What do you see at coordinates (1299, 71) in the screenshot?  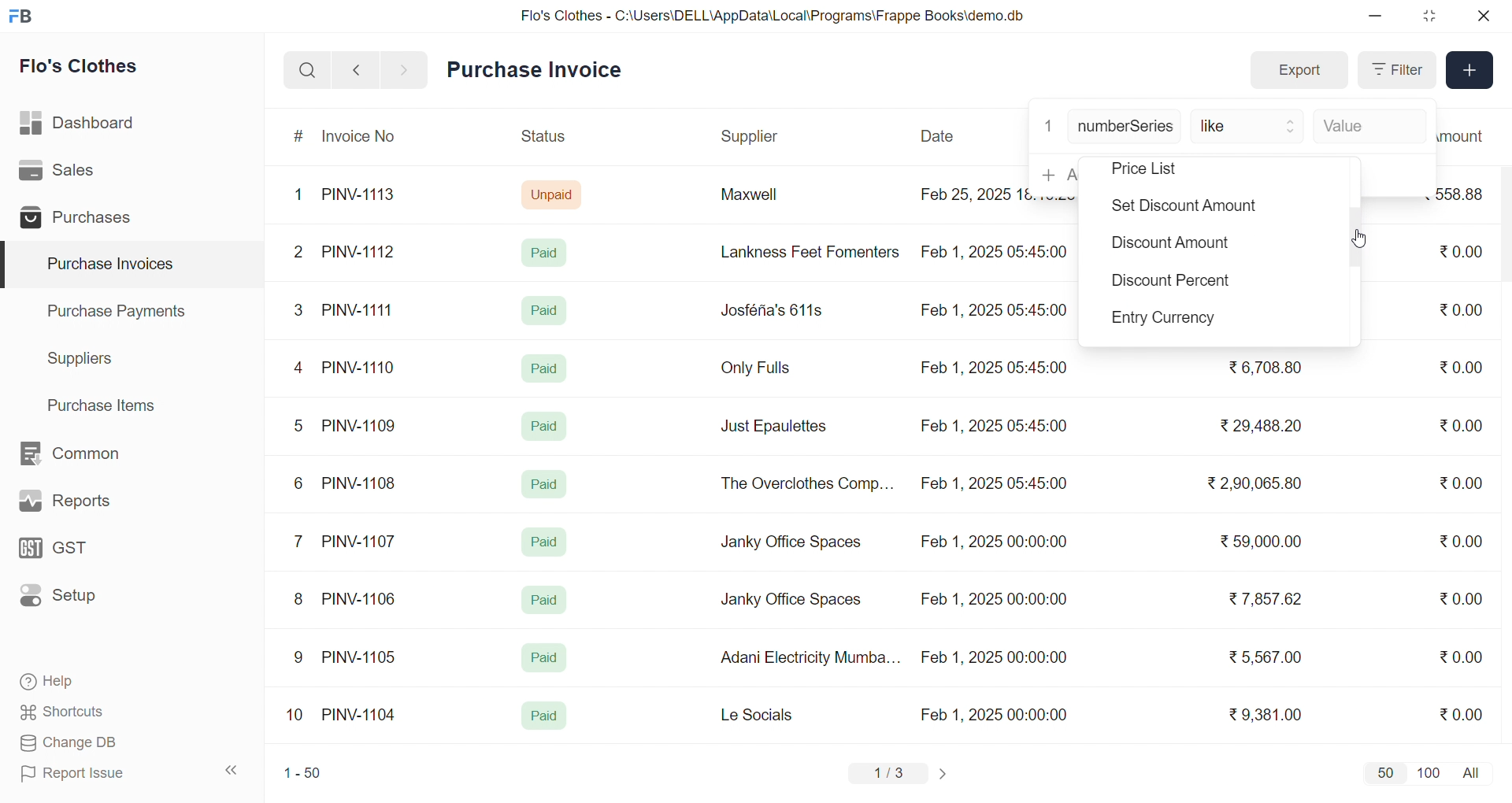 I see `Export` at bounding box center [1299, 71].